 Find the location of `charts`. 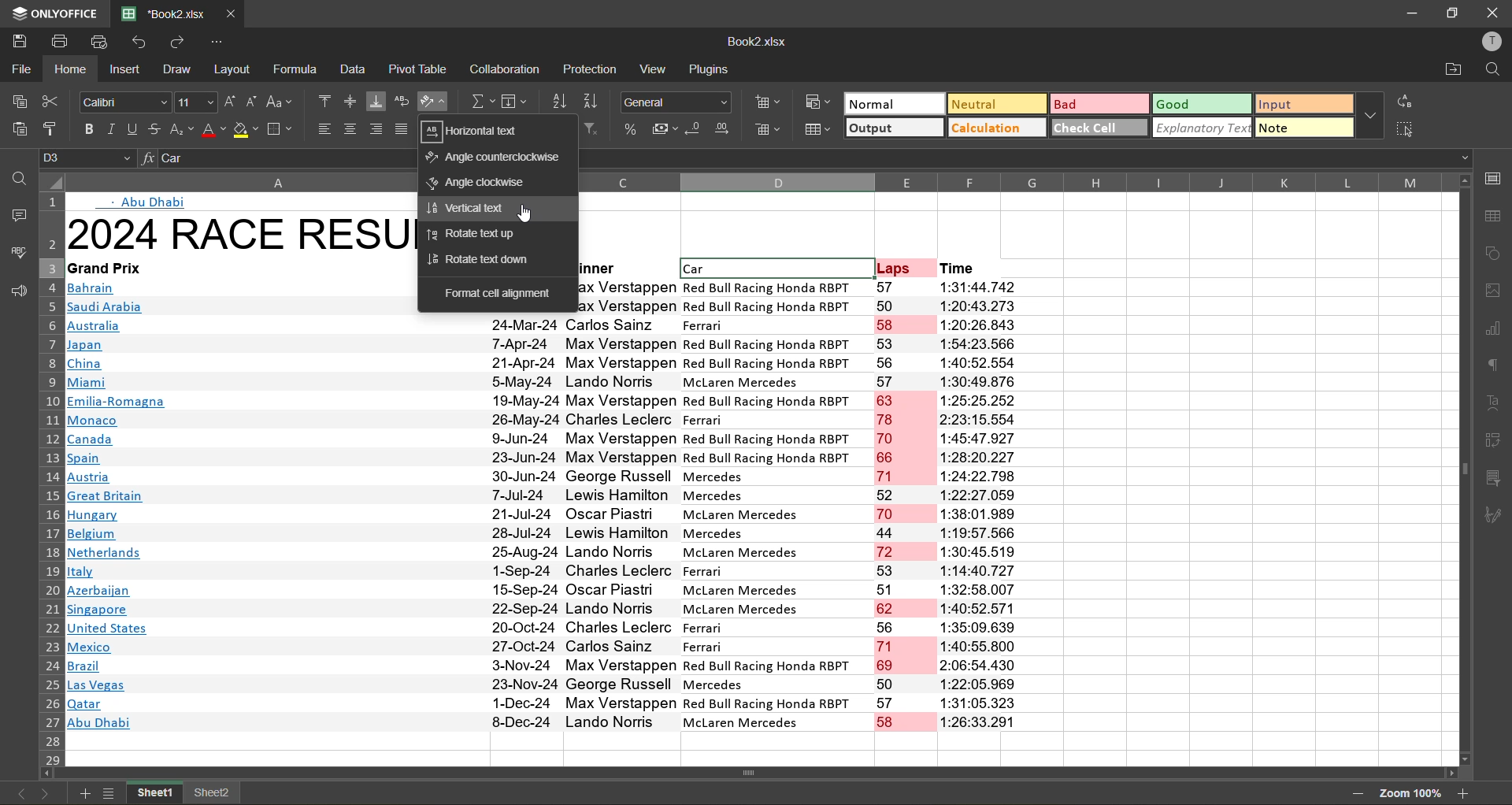

charts is located at coordinates (1496, 331).